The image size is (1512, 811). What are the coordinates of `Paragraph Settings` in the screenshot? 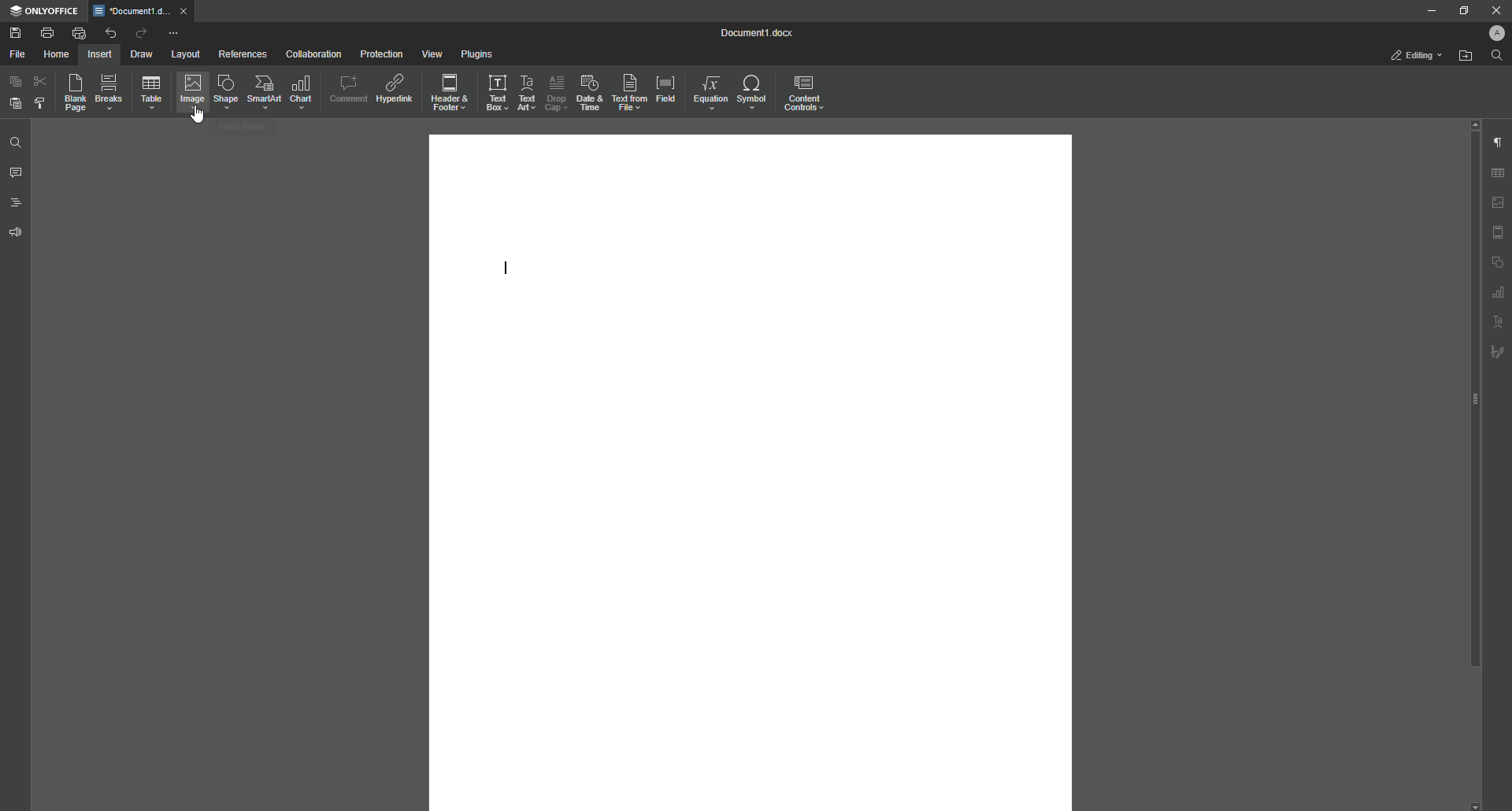 It's located at (1499, 143).